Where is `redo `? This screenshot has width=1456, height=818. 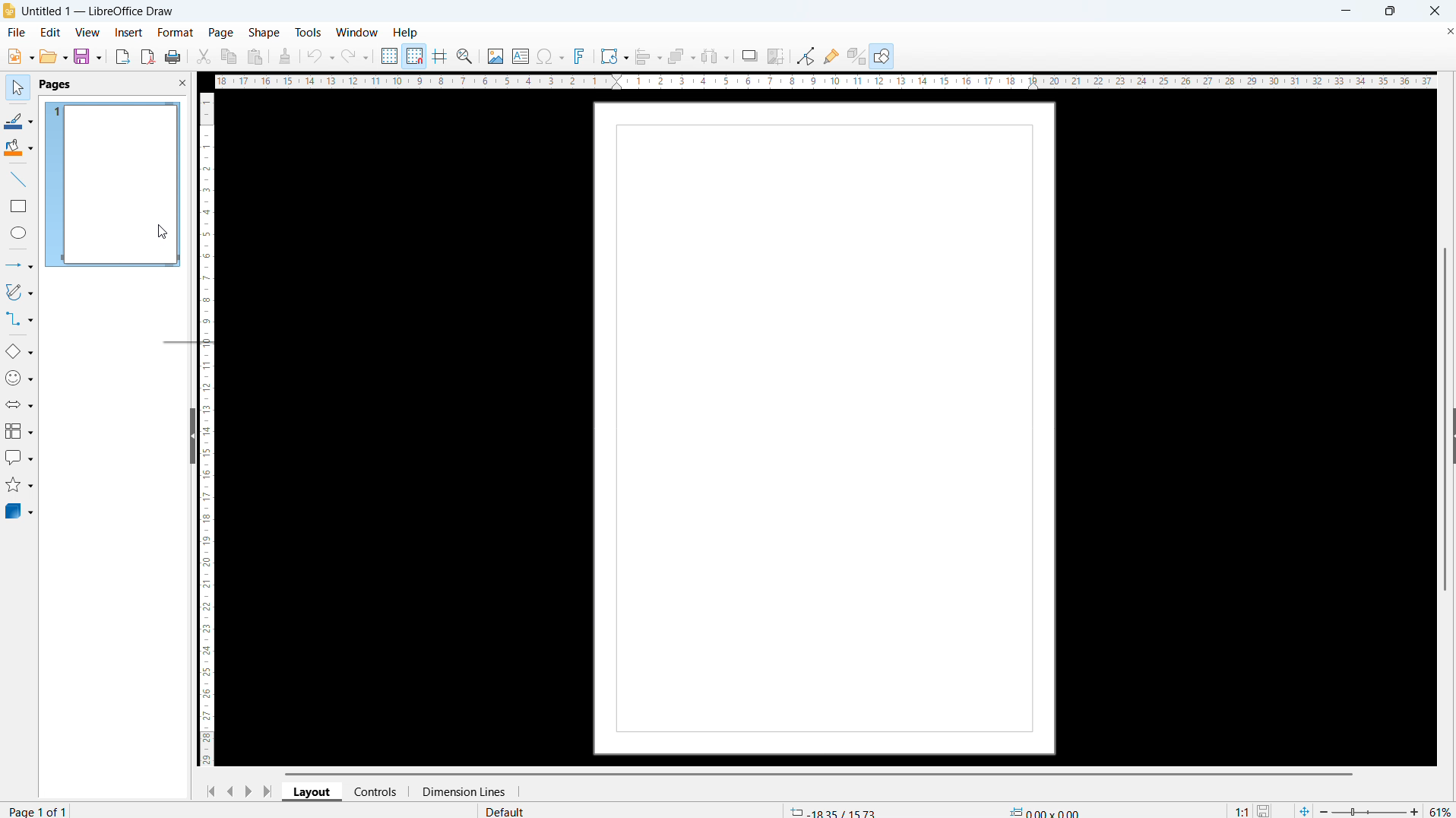
redo  is located at coordinates (356, 55).